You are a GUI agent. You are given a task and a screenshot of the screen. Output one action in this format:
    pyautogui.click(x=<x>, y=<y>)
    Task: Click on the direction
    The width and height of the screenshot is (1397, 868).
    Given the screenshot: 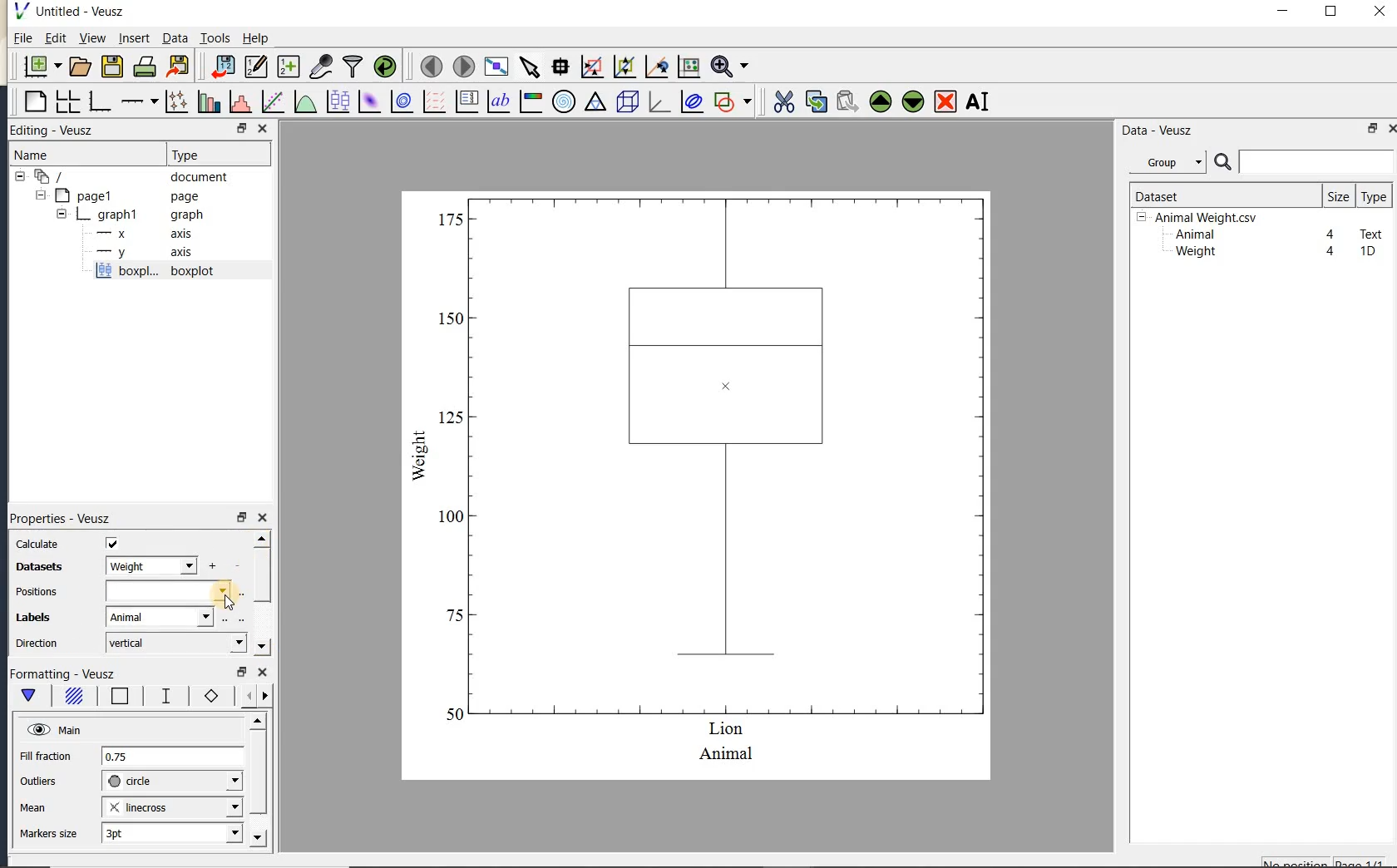 What is the action you would take?
    pyautogui.click(x=38, y=643)
    